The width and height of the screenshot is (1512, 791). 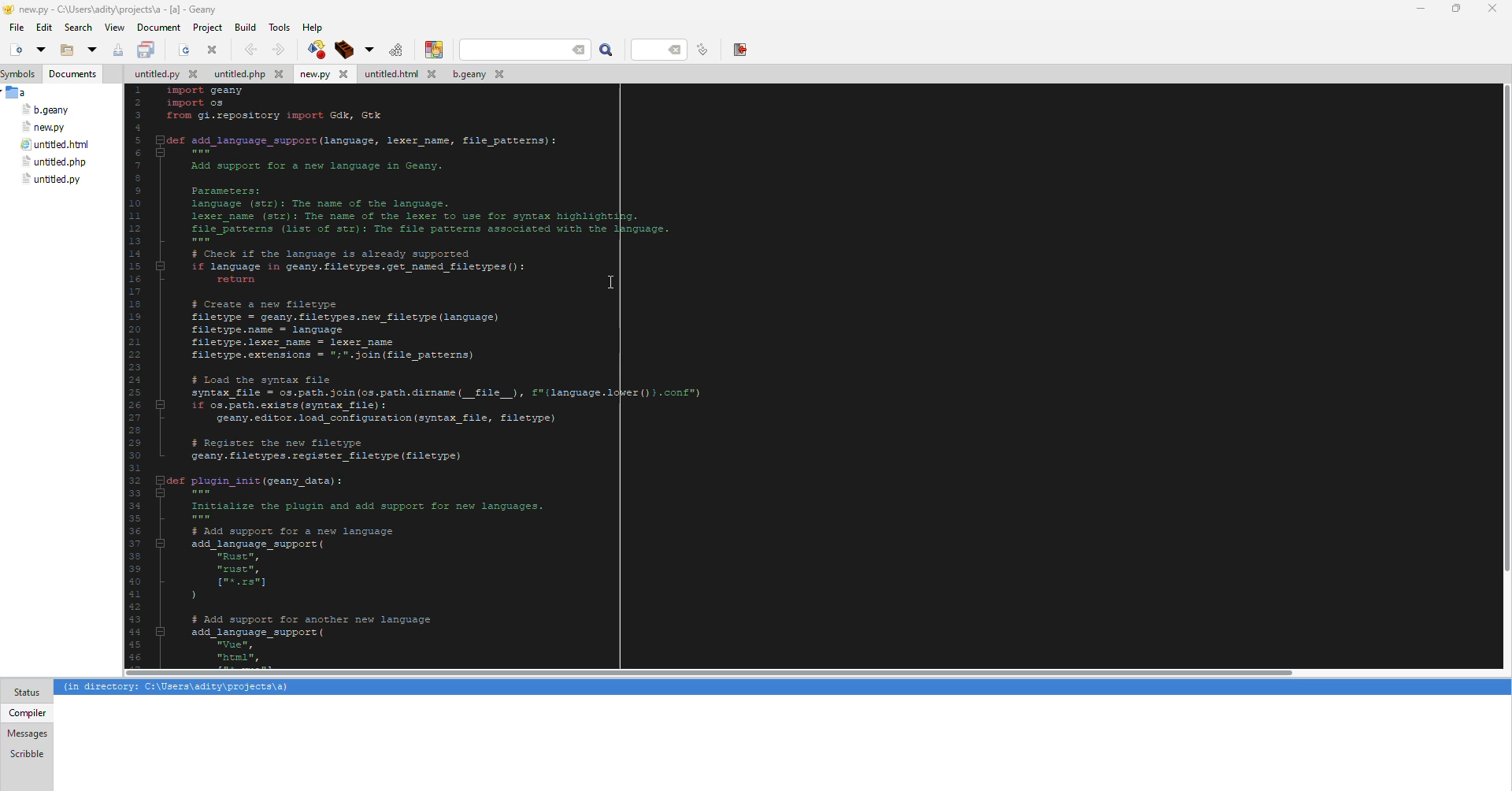 What do you see at coordinates (250, 74) in the screenshot?
I see `file` at bounding box center [250, 74].